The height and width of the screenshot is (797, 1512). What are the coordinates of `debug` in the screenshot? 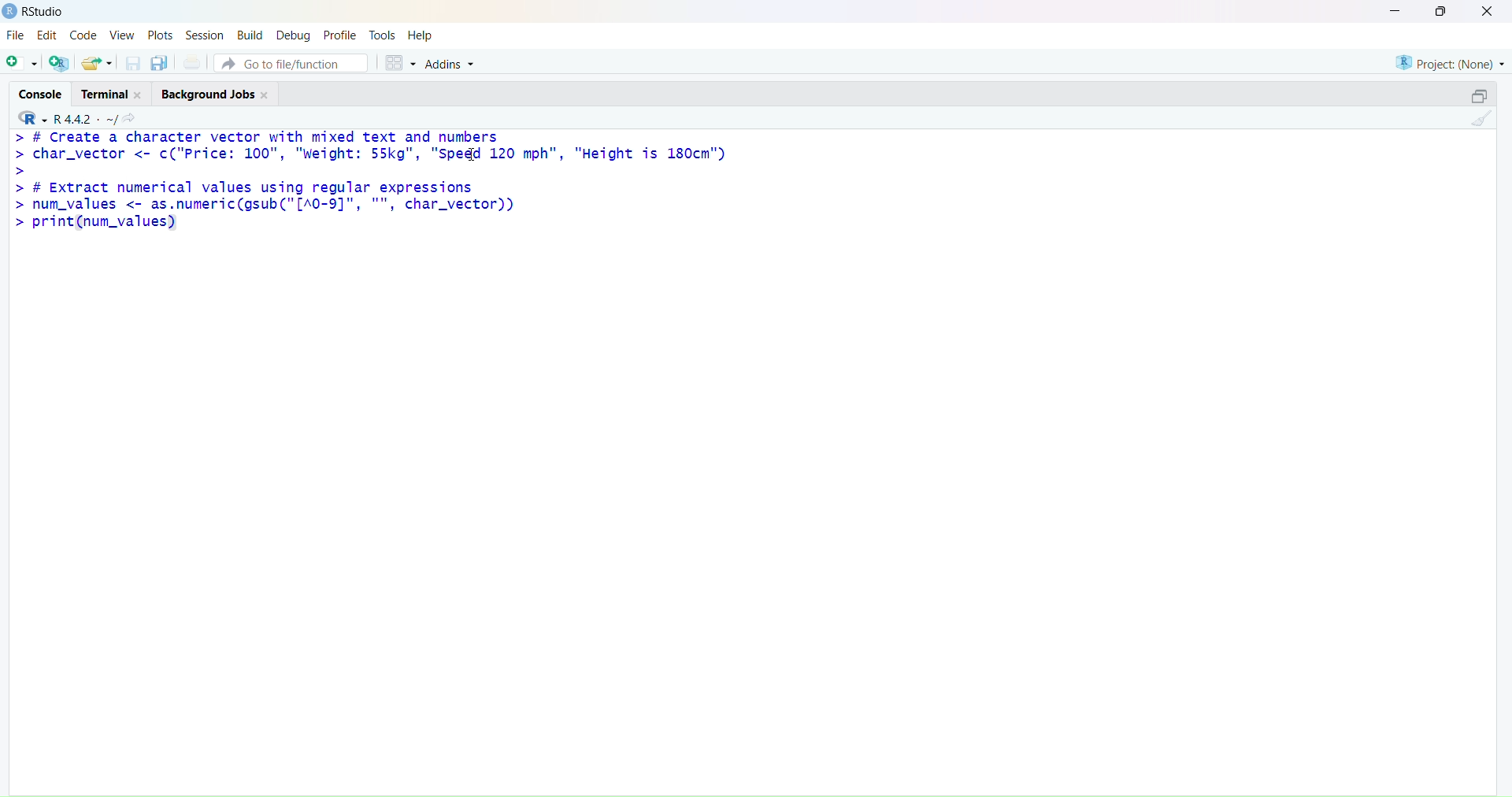 It's located at (293, 36).